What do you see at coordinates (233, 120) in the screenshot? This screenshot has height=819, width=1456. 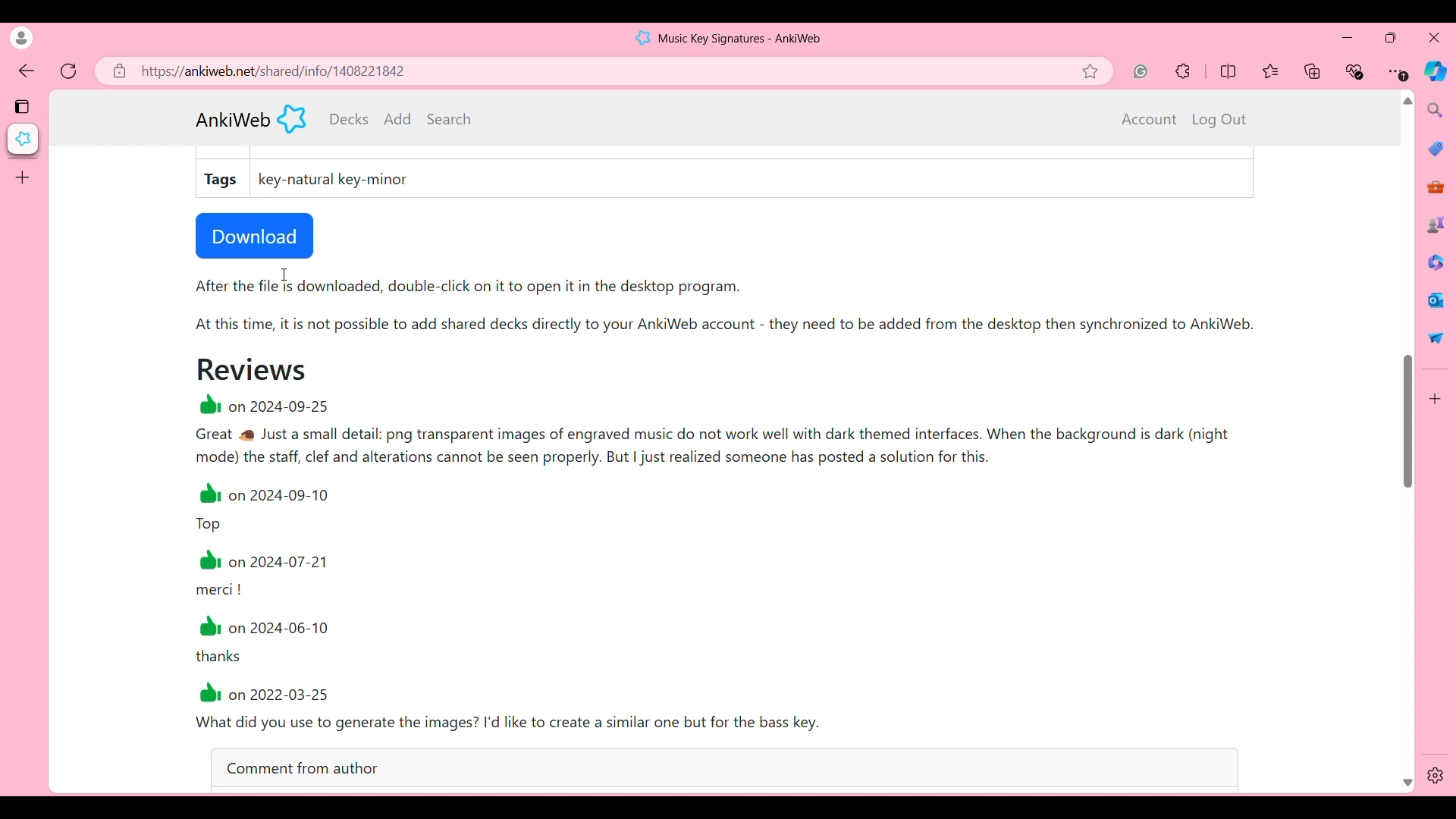 I see `ANkiWeb` at bounding box center [233, 120].